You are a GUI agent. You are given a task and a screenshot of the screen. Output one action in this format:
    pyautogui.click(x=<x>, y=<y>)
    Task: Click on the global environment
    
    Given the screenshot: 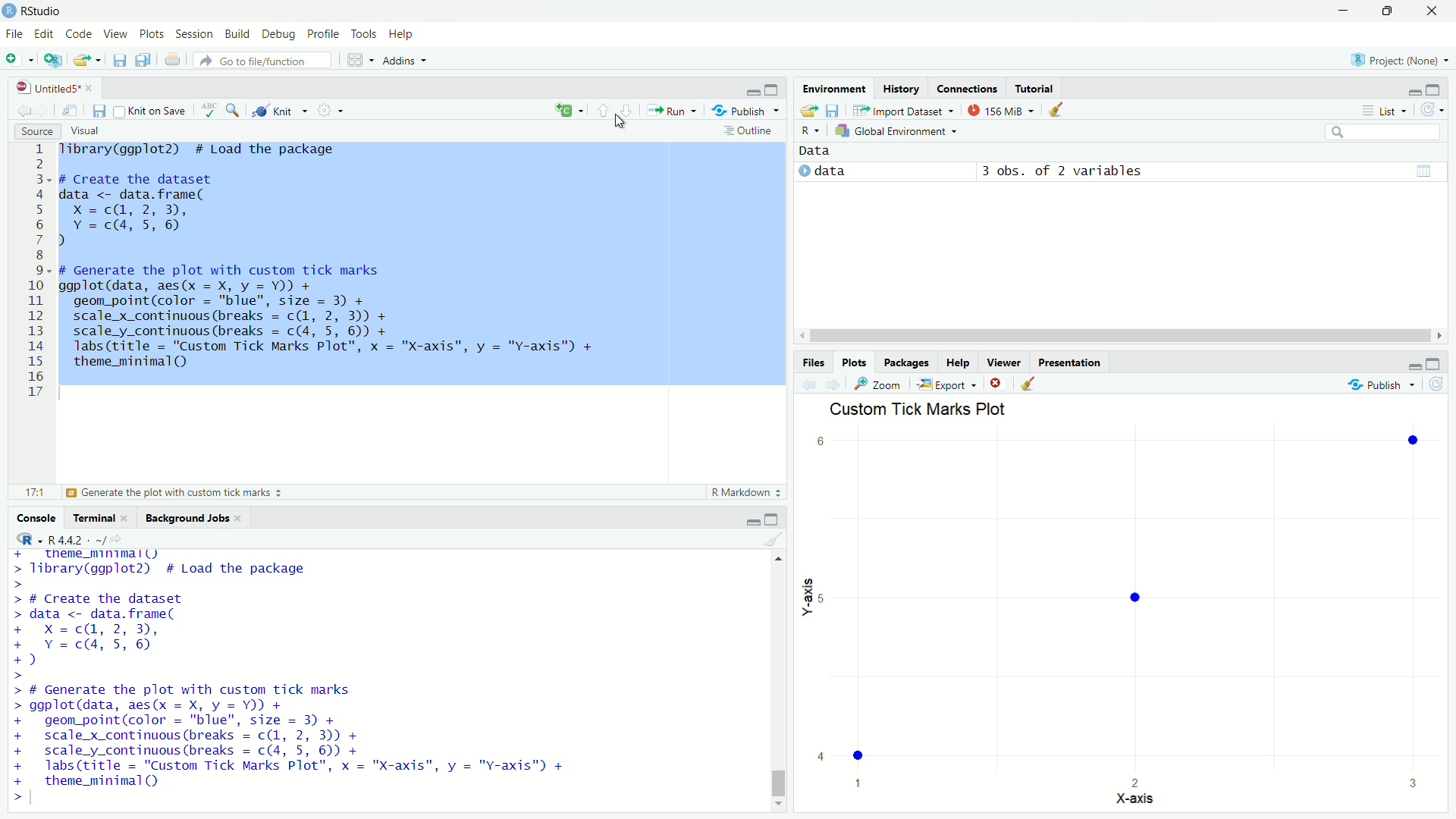 What is the action you would take?
    pyautogui.click(x=896, y=132)
    